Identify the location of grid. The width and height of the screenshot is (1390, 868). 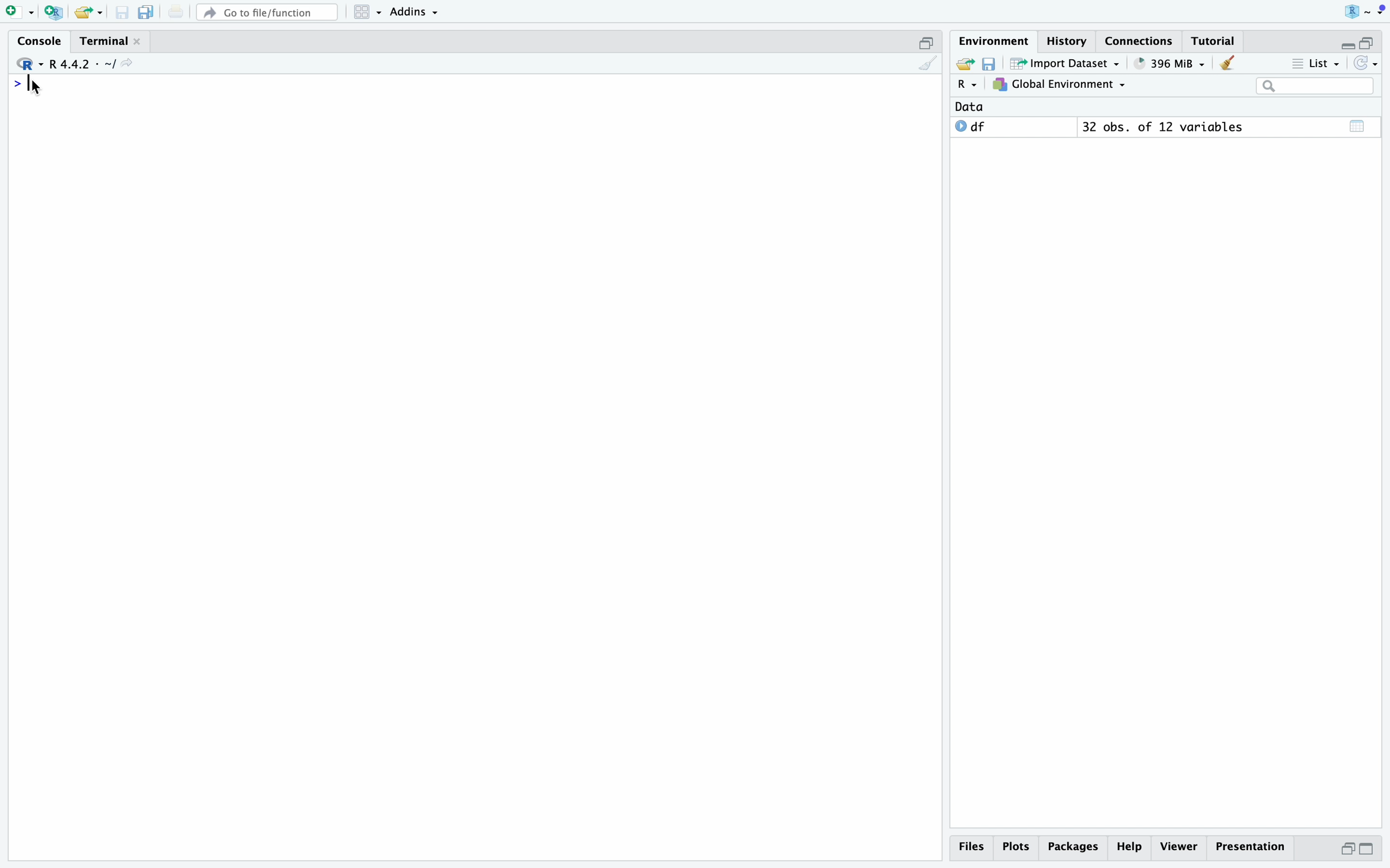
(369, 12).